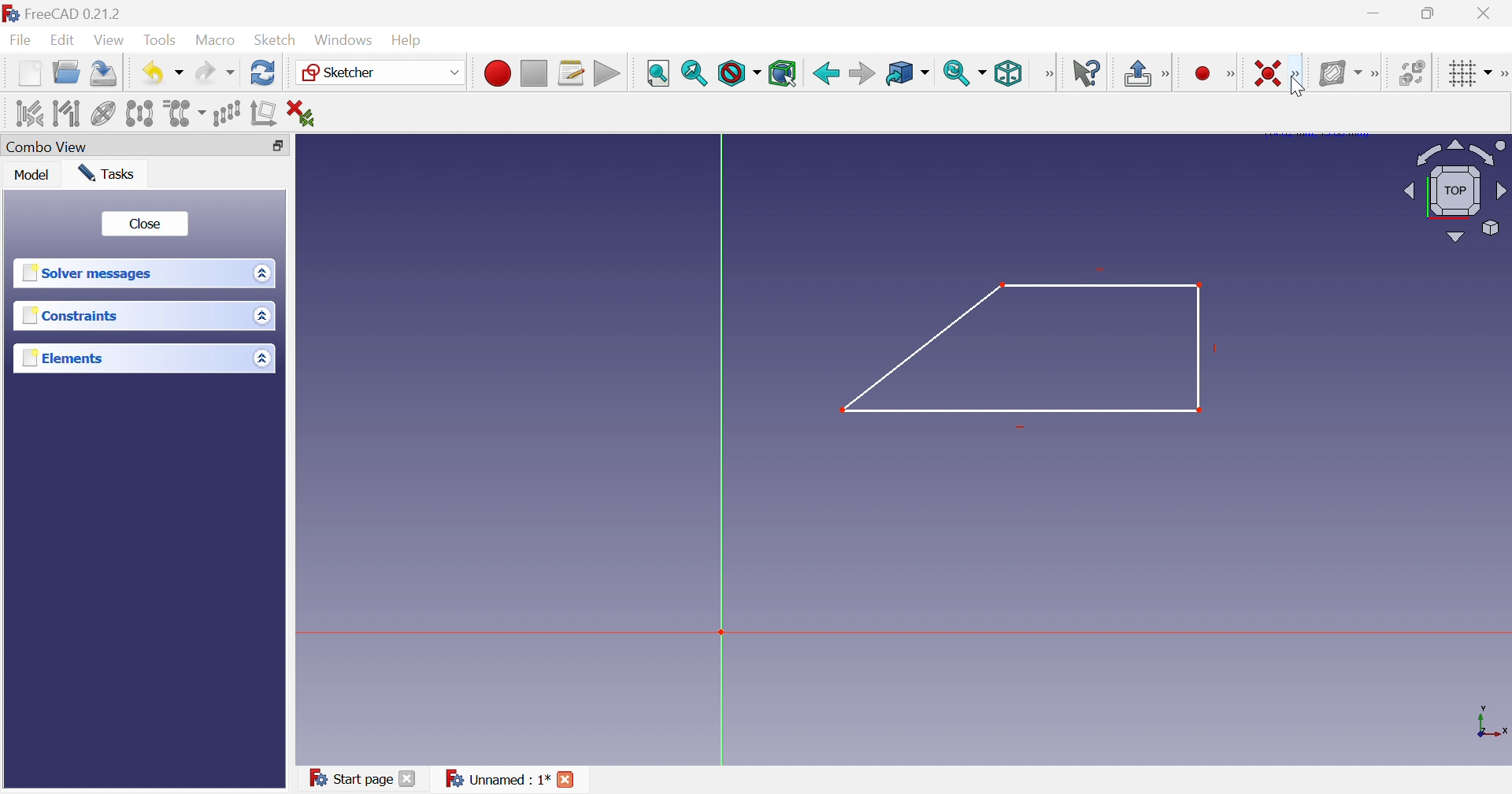 Image resolution: width=1512 pixels, height=794 pixels. I want to click on Sketcher, so click(343, 73).